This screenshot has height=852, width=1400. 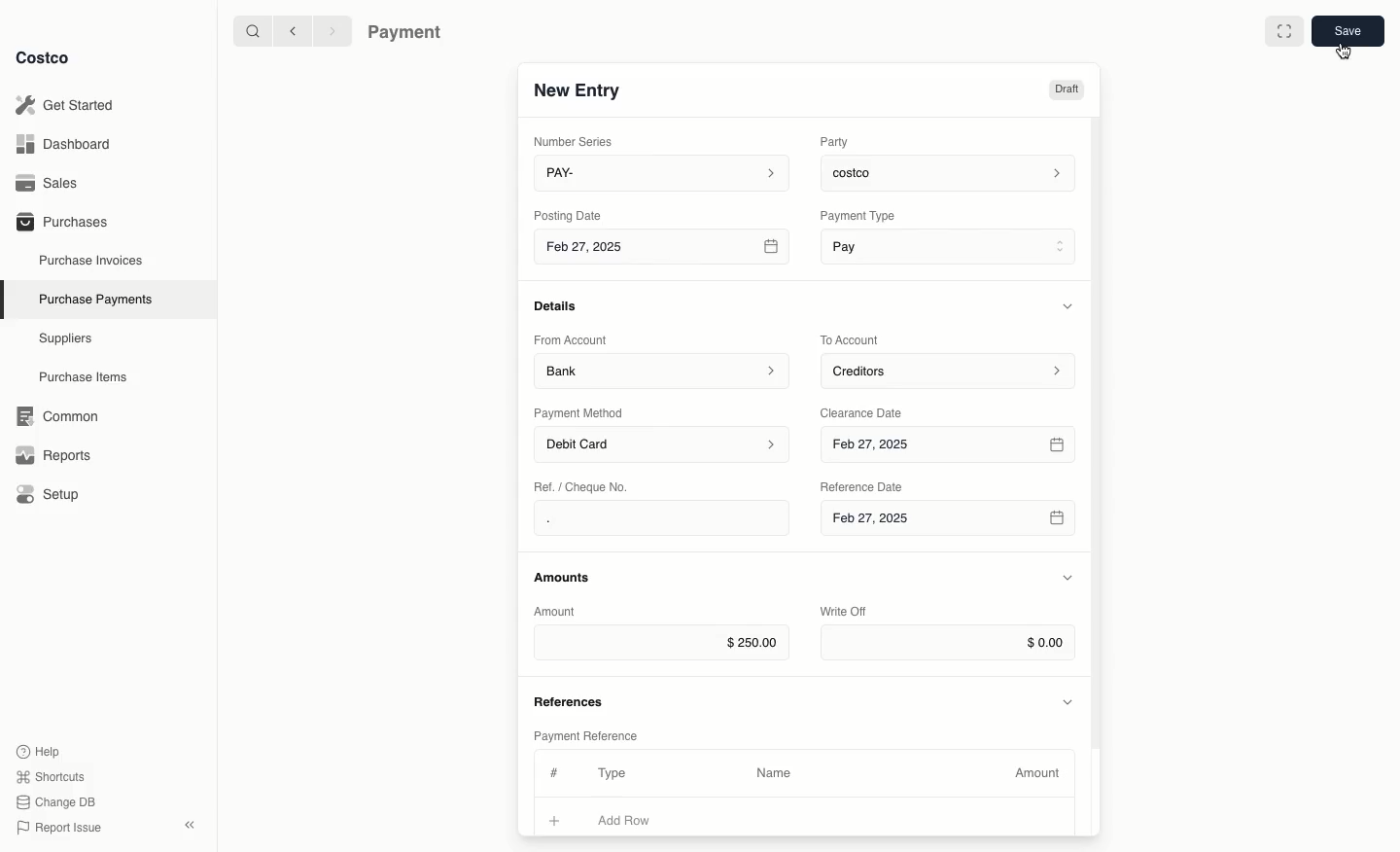 What do you see at coordinates (92, 260) in the screenshot?
I see `Purchase Invoices` at bounding box center [92, 260].